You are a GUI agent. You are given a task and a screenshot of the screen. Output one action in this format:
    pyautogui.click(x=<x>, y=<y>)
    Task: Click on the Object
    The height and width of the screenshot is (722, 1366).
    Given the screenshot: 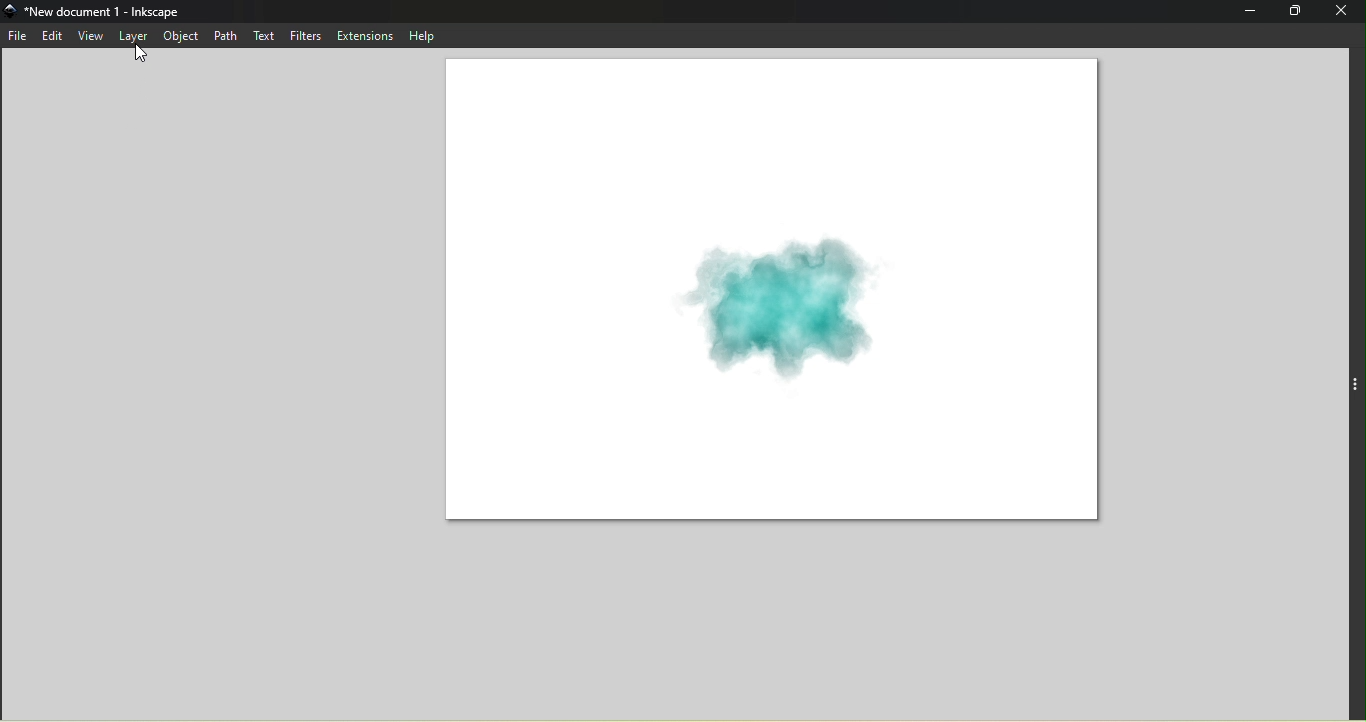 What is the action you would take?
    pyautogui.click(x=180, y=36)
    